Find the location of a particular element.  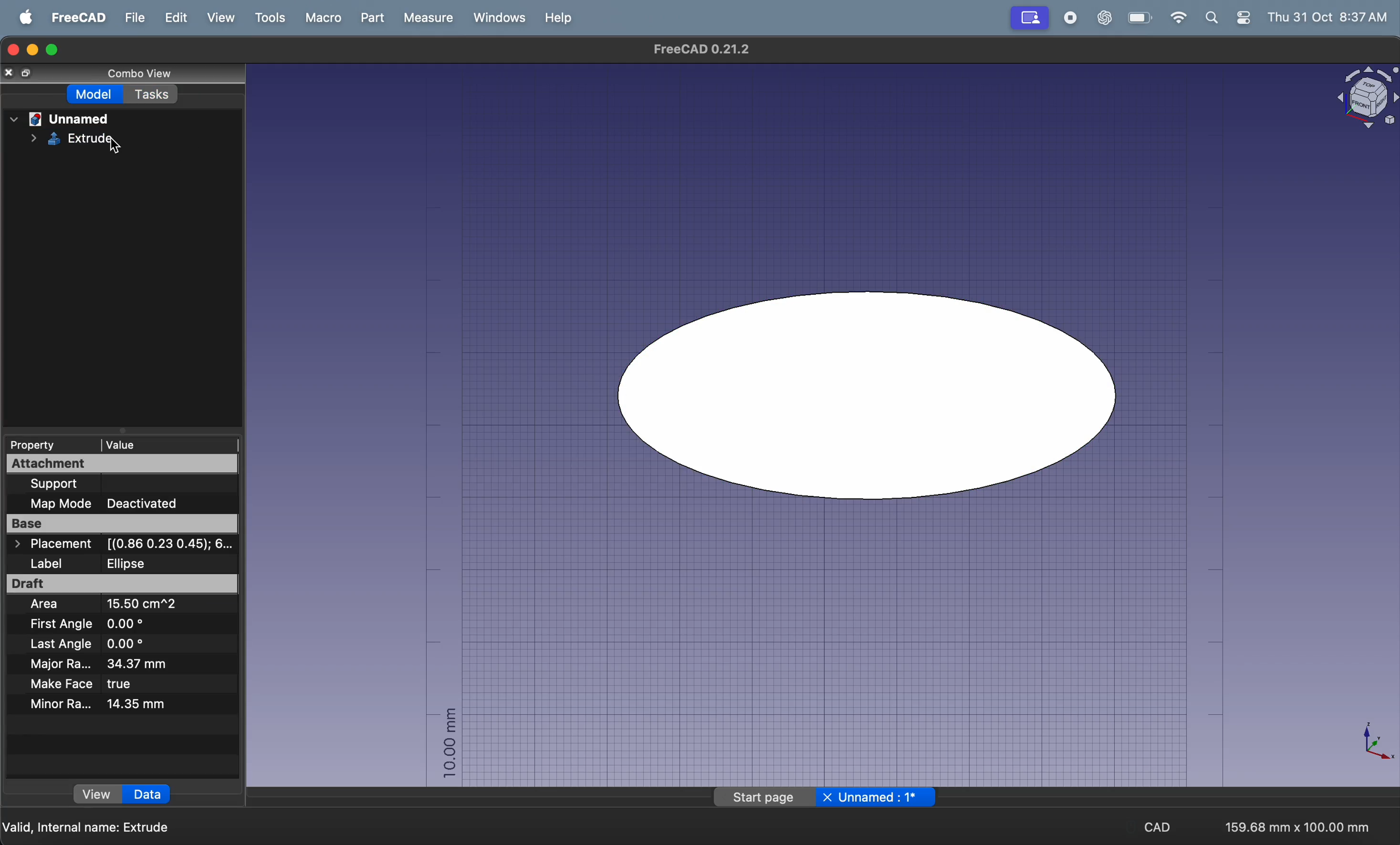

part is located at coordinates (369, 18).